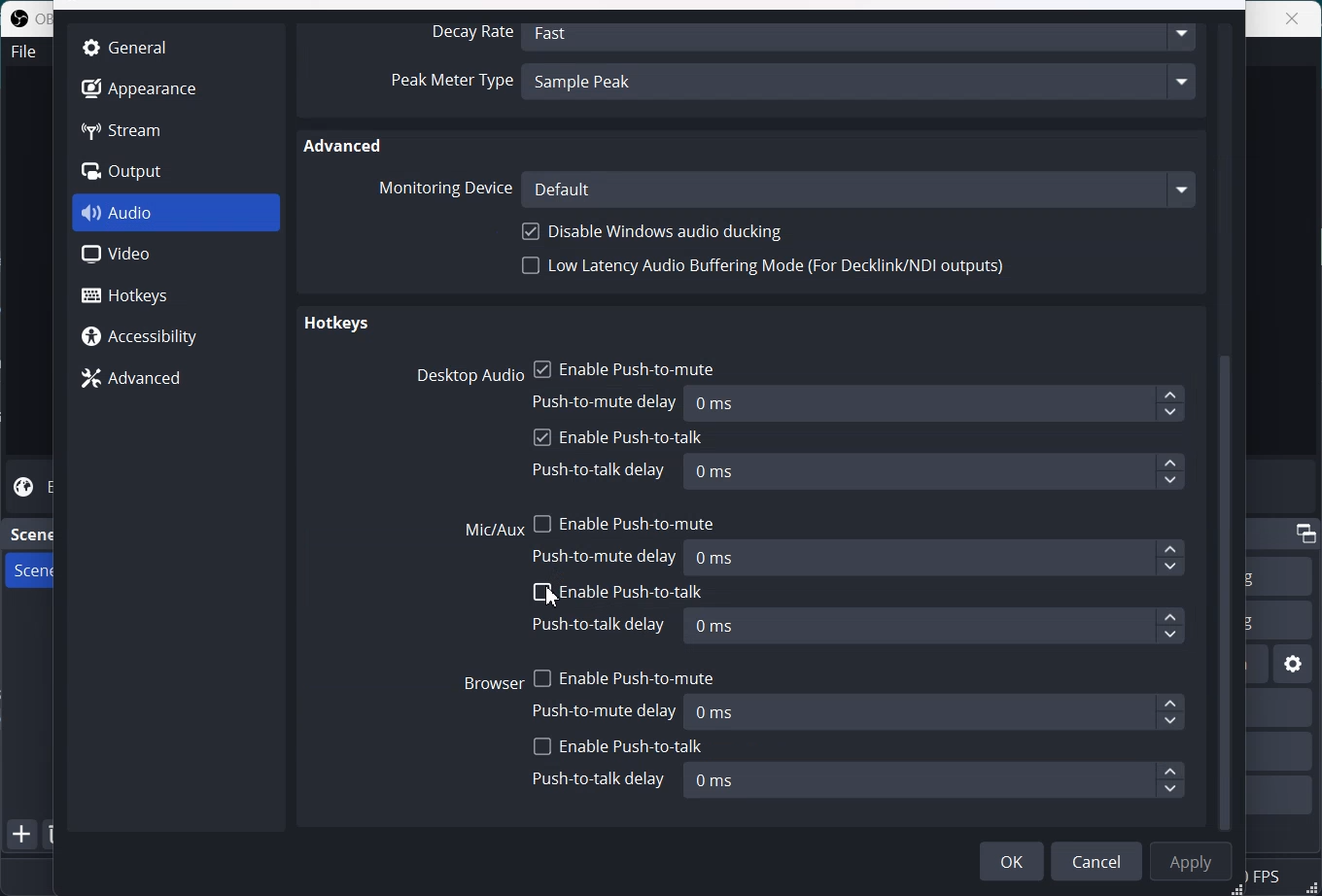  What do you see at coordinates (933, 780) in the screenshot?
I see `0 ms` at bounding box center [933, 780].